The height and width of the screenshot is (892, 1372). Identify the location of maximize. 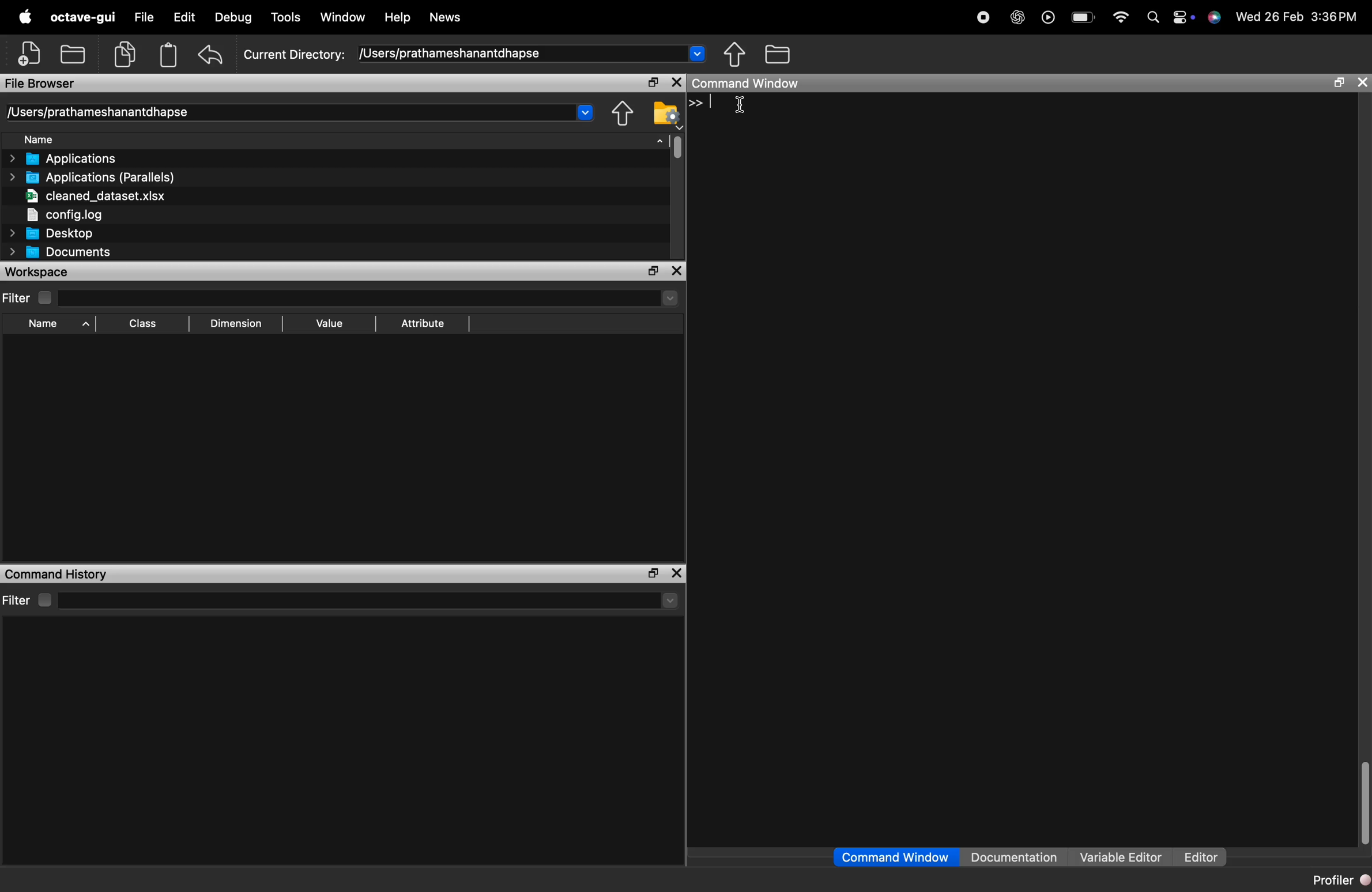
(1337, 82).